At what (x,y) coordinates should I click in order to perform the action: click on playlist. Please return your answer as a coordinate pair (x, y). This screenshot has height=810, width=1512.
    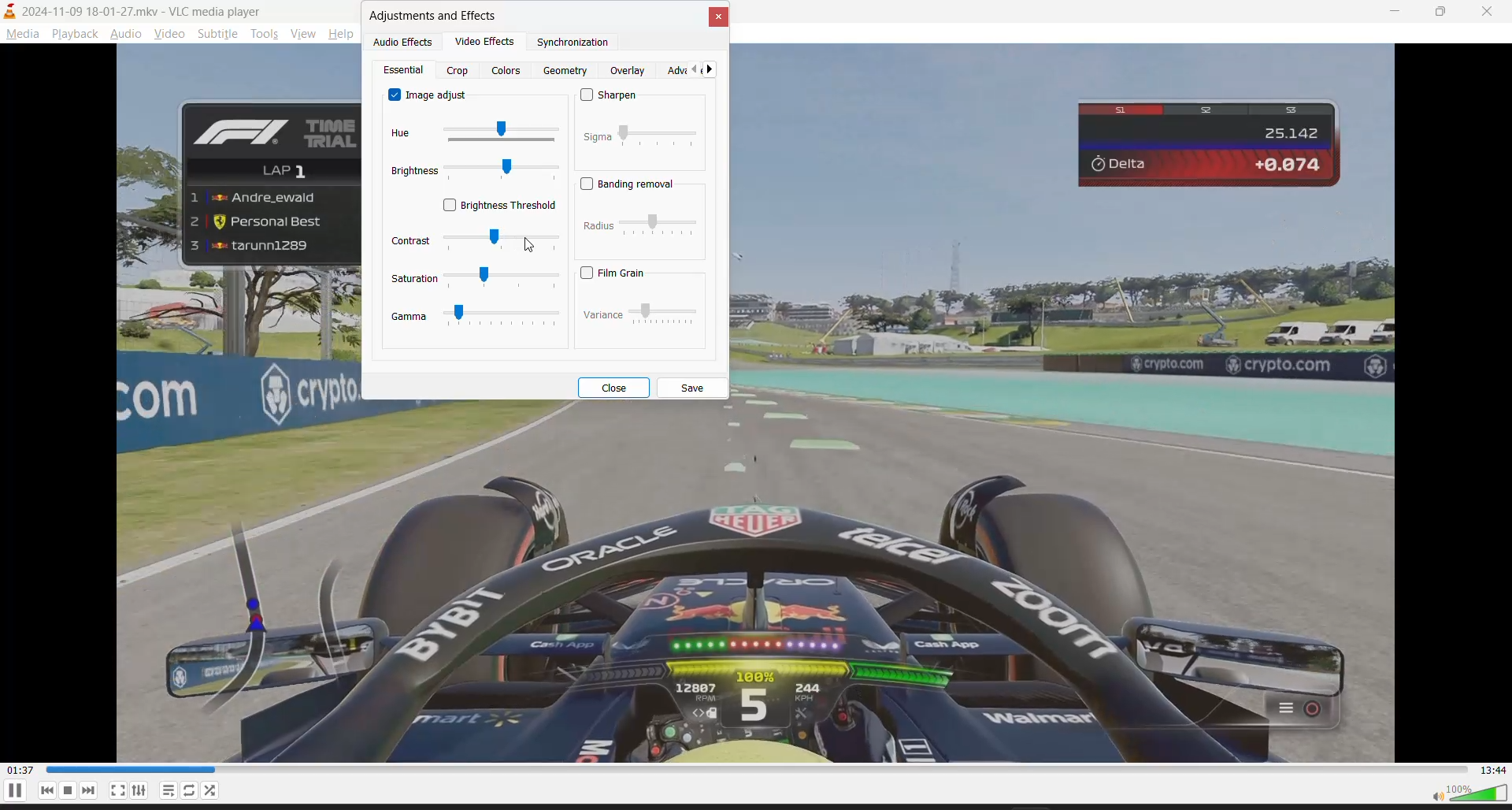
    Looking at the image, I should click on (169, 790).